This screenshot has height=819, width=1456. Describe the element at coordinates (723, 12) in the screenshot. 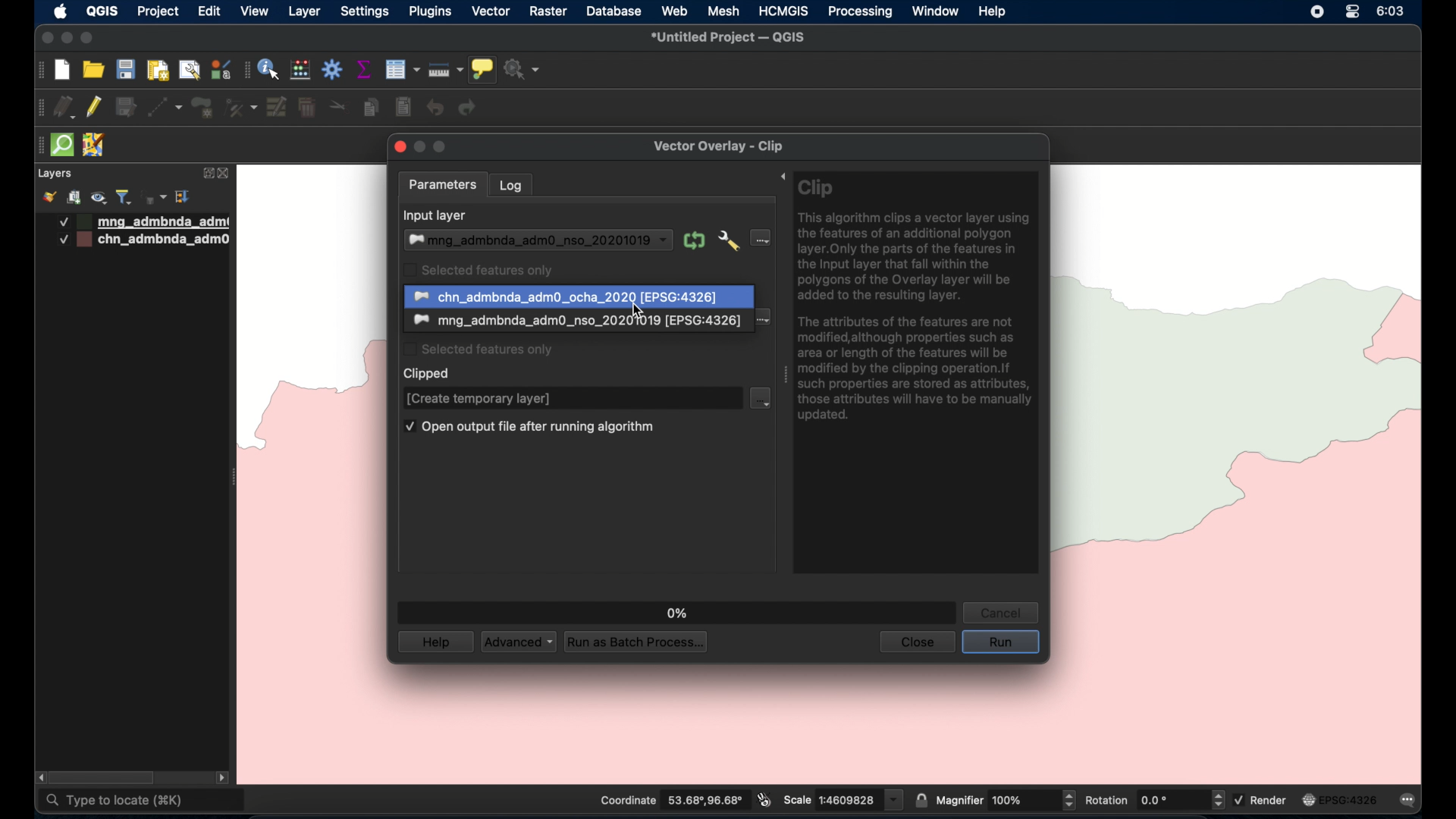

I see `mesh` at that location.